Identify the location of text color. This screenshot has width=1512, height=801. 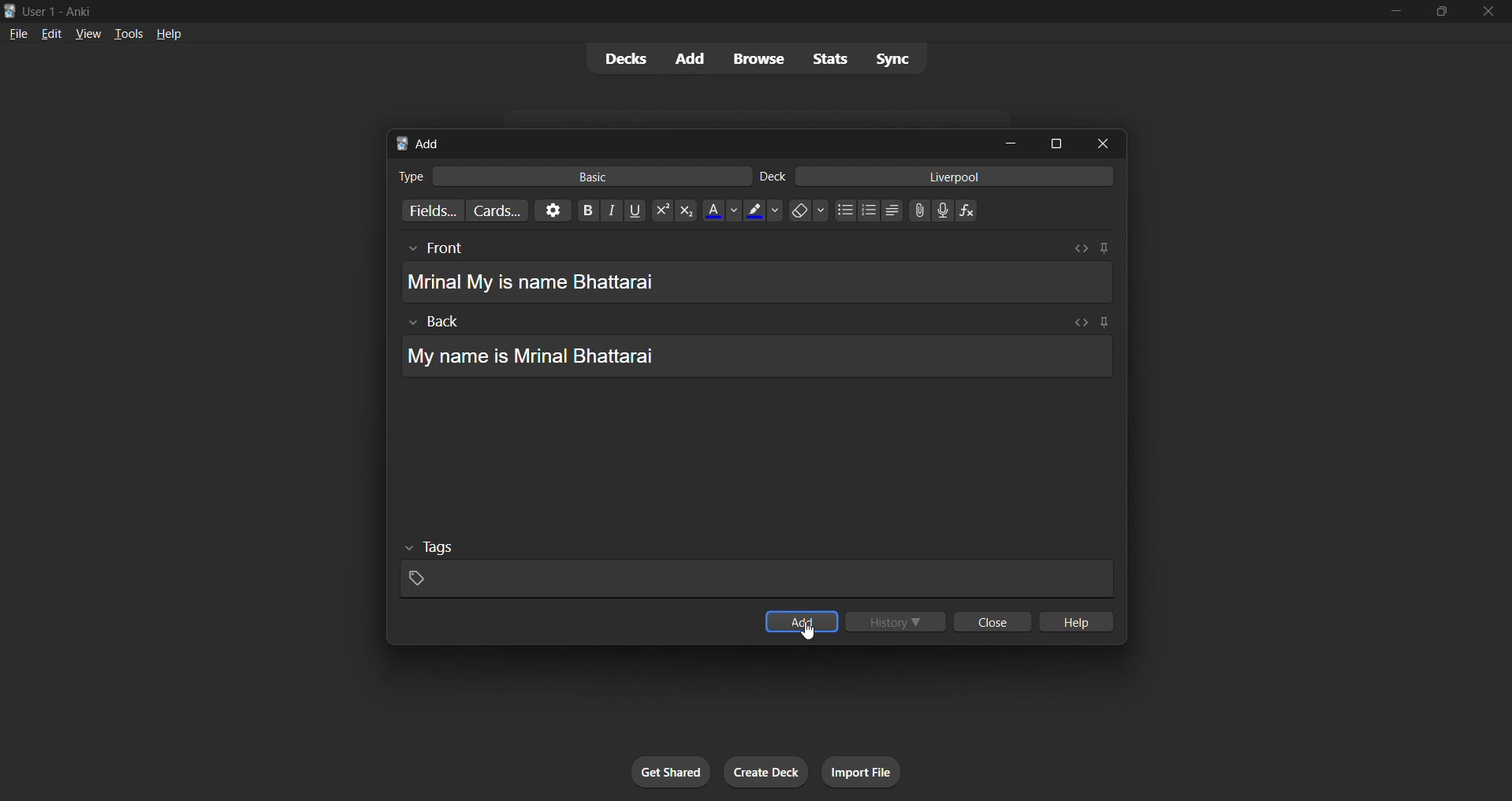
(720, 212).